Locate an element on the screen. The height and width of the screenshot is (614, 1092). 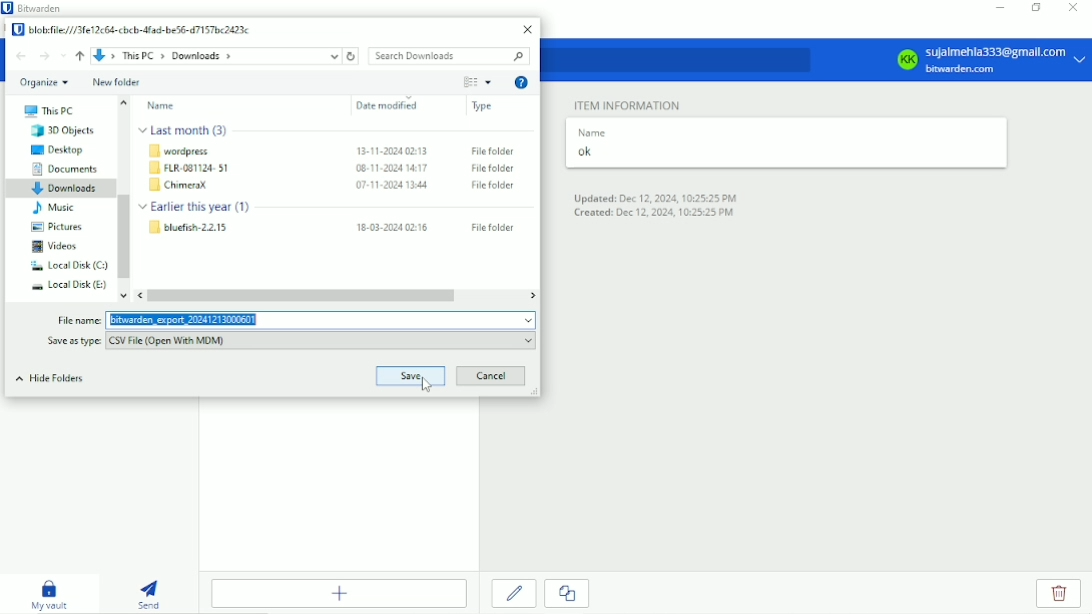
Name is located at coordinates (162, 106).